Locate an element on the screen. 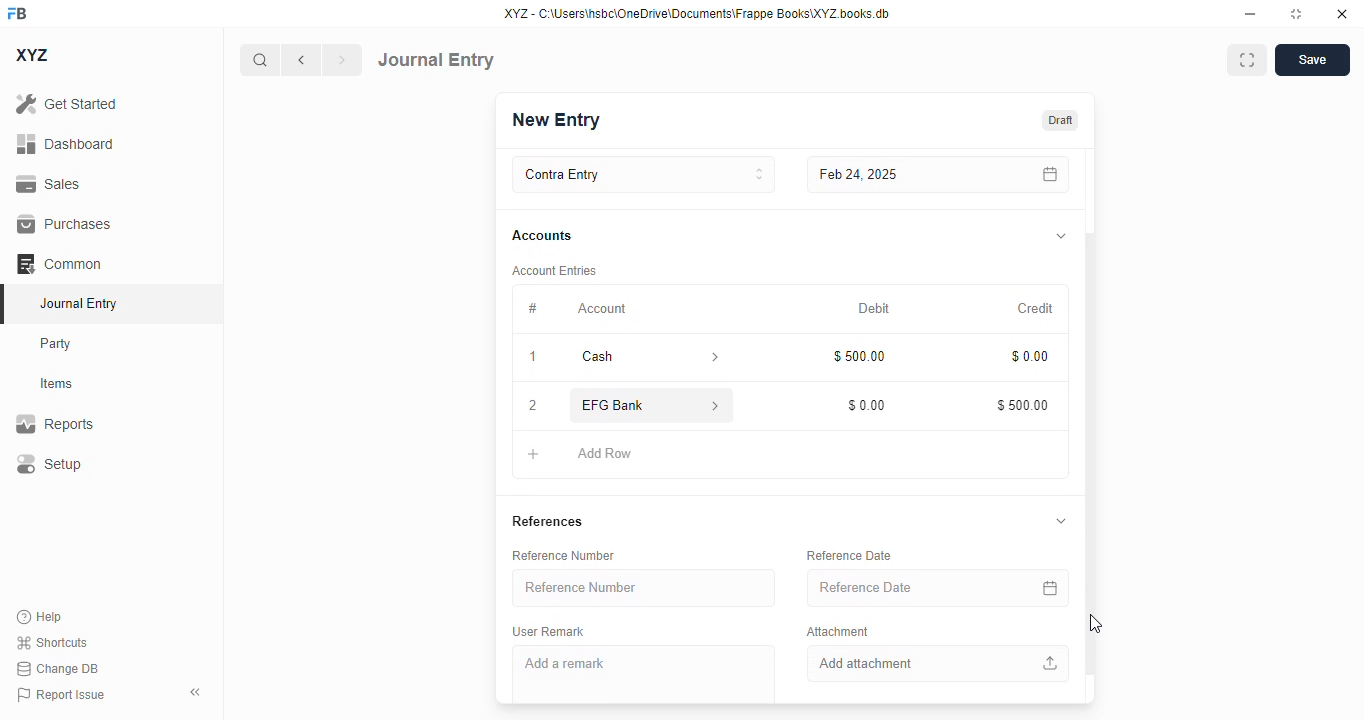 Image resolution: width=1364 pixels, height=720 pixels. minimize is located at coordinates (1251, 14).